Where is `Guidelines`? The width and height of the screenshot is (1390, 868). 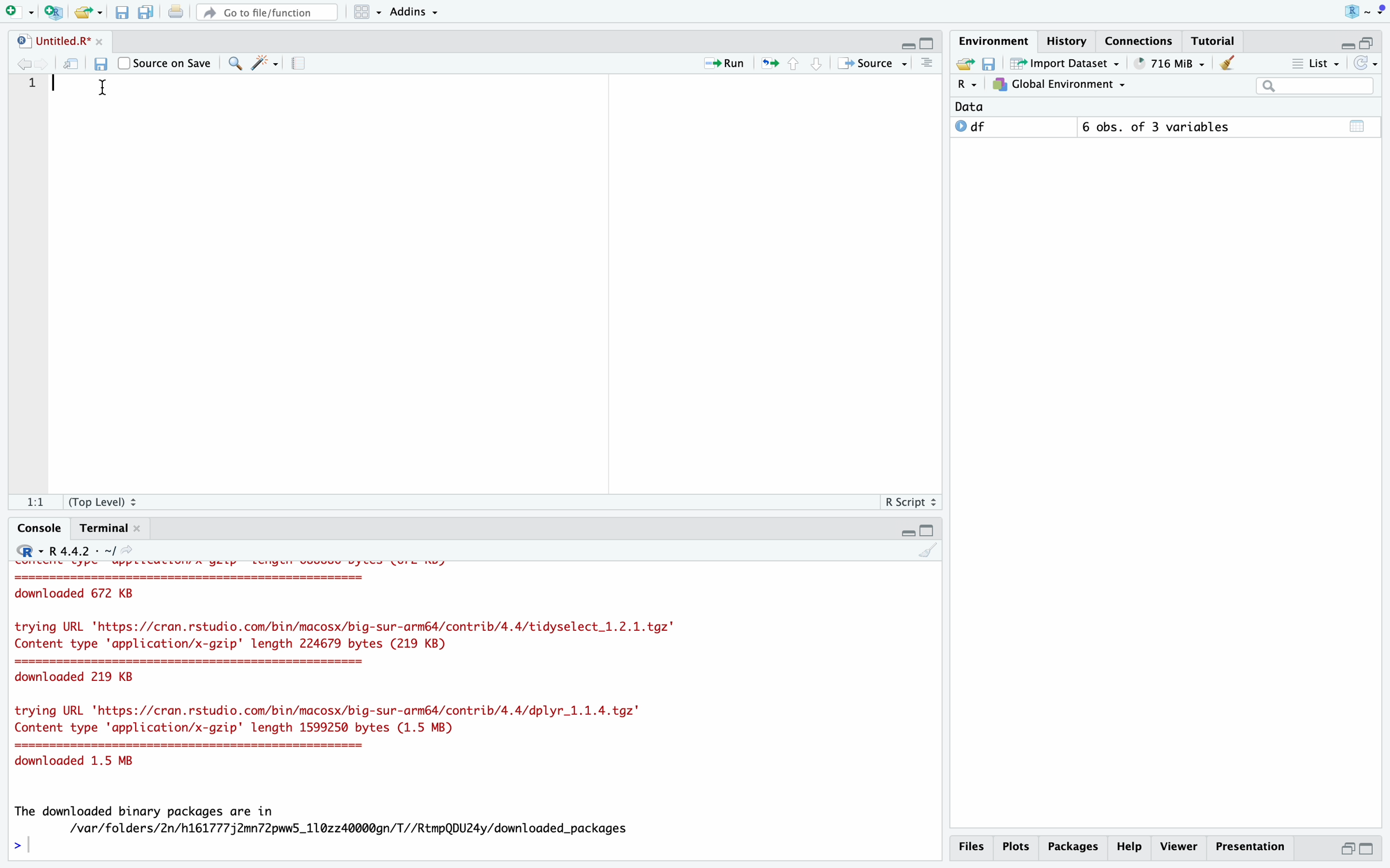 Guidelines is located at coordinates (302, 64).